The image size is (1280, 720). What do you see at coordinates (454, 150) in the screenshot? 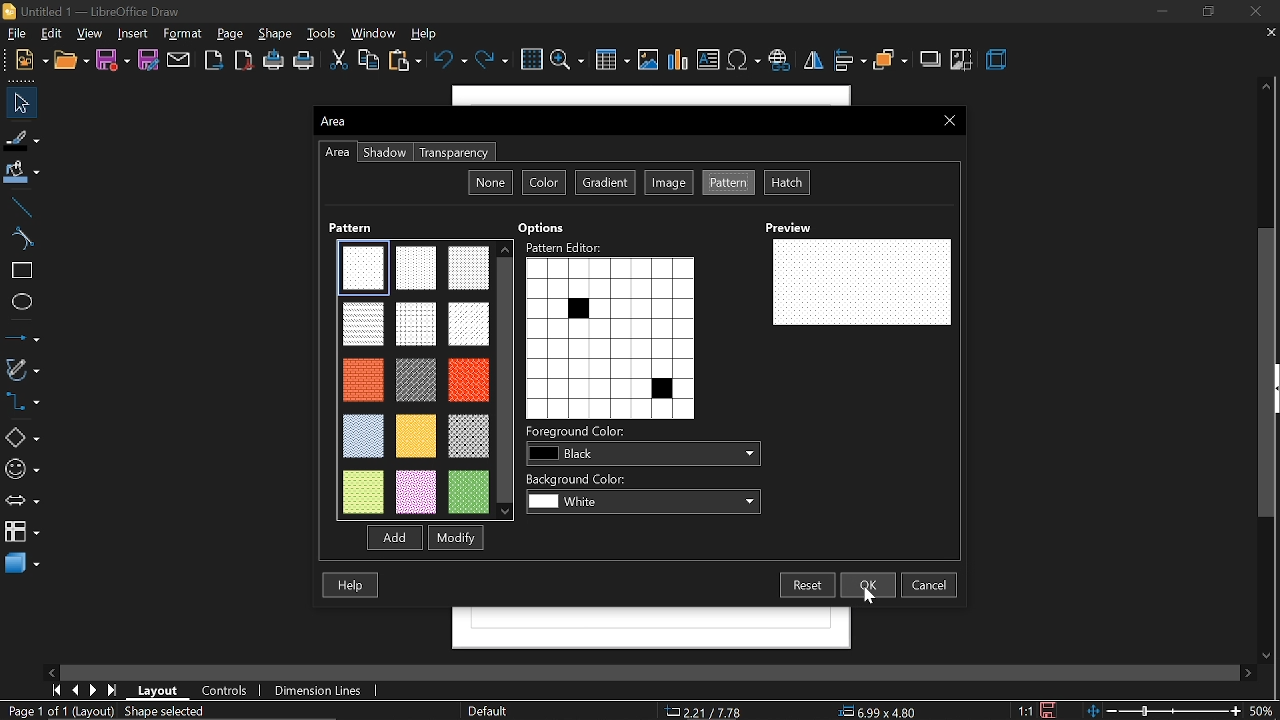
I see `Transparency` at bounding box center [454, 150].